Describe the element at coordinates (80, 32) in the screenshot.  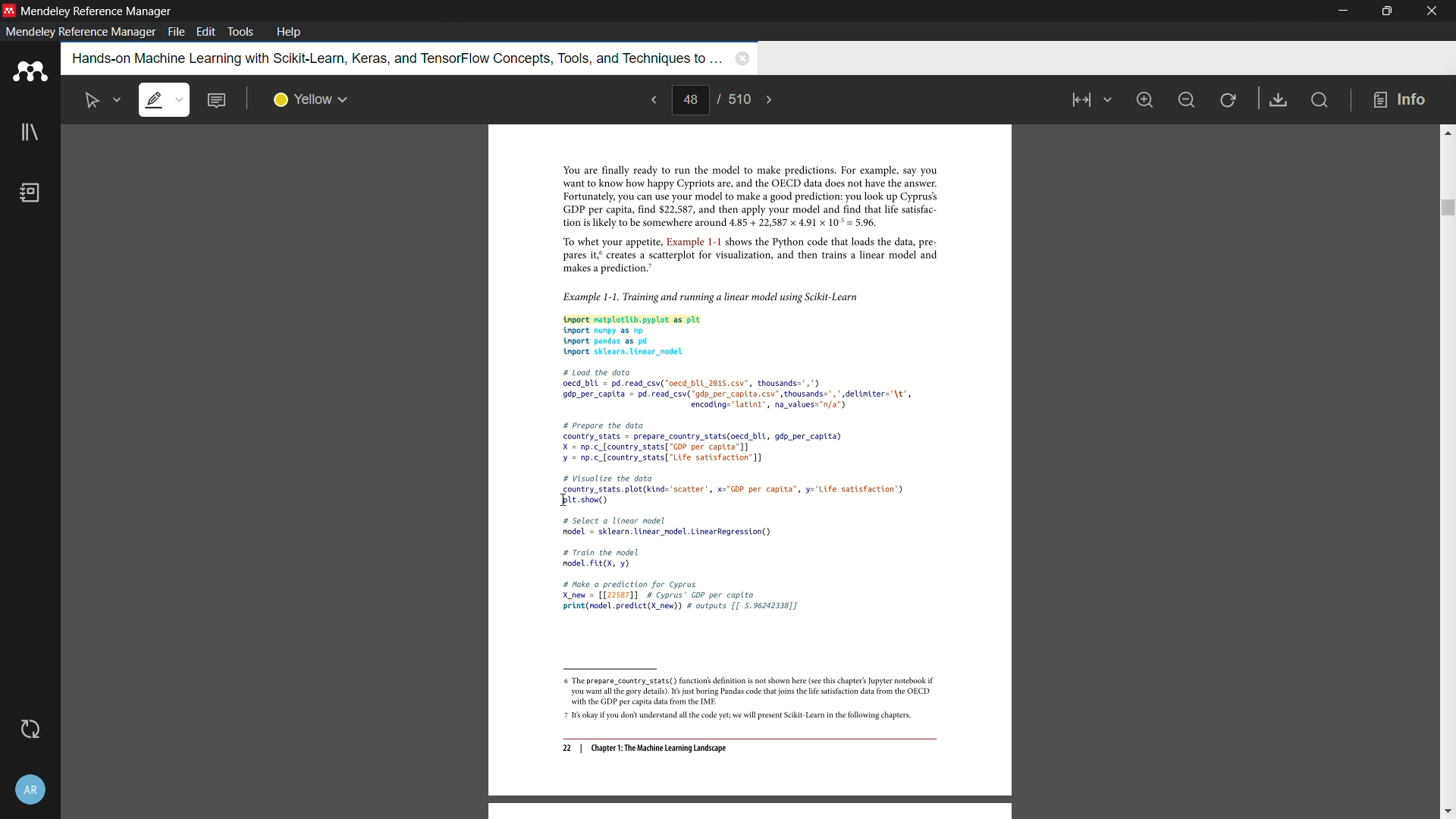
I see `mendeley reference manager` at that location.